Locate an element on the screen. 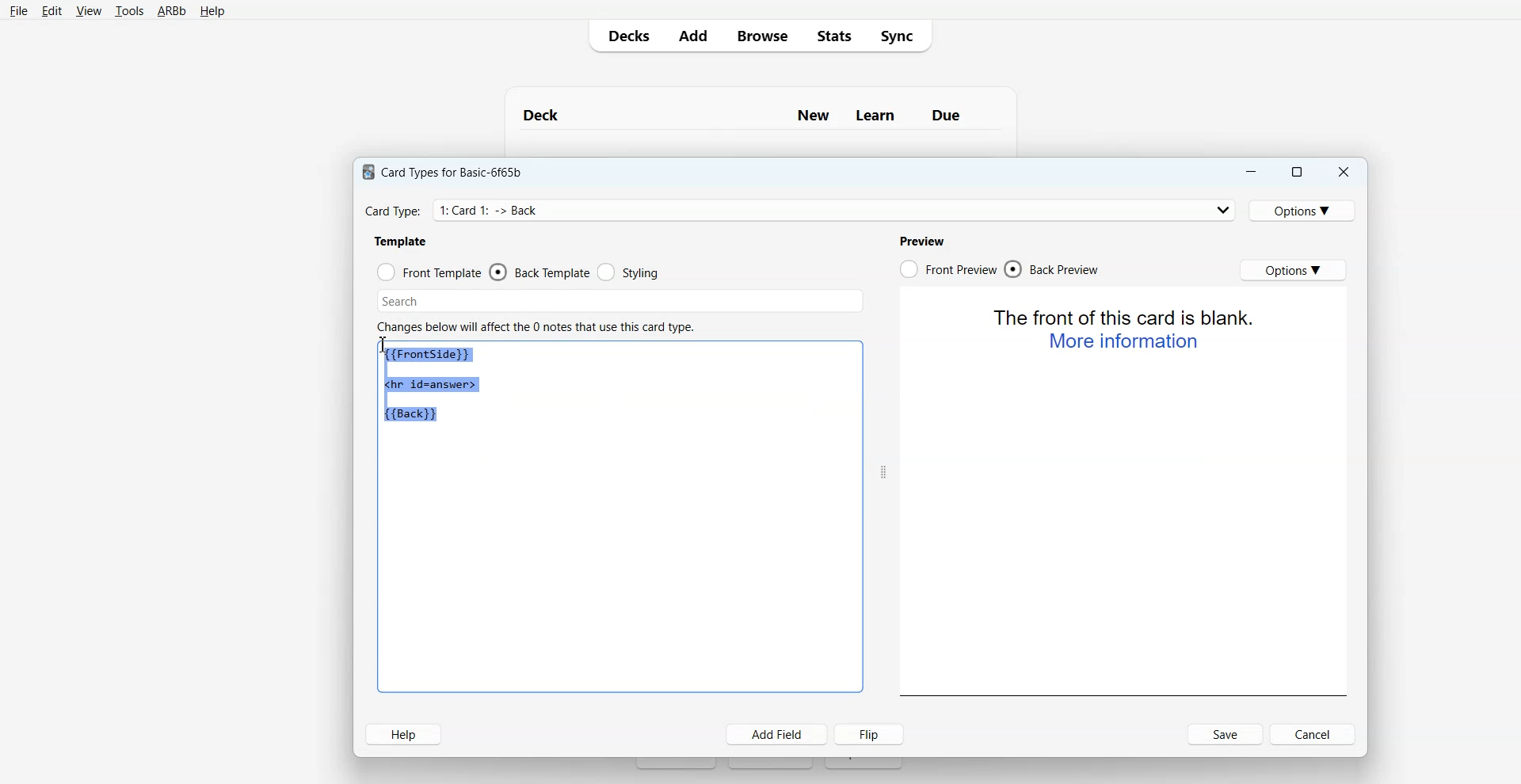 The image size is (1521, 784). File is located at coordinates (19, 11).